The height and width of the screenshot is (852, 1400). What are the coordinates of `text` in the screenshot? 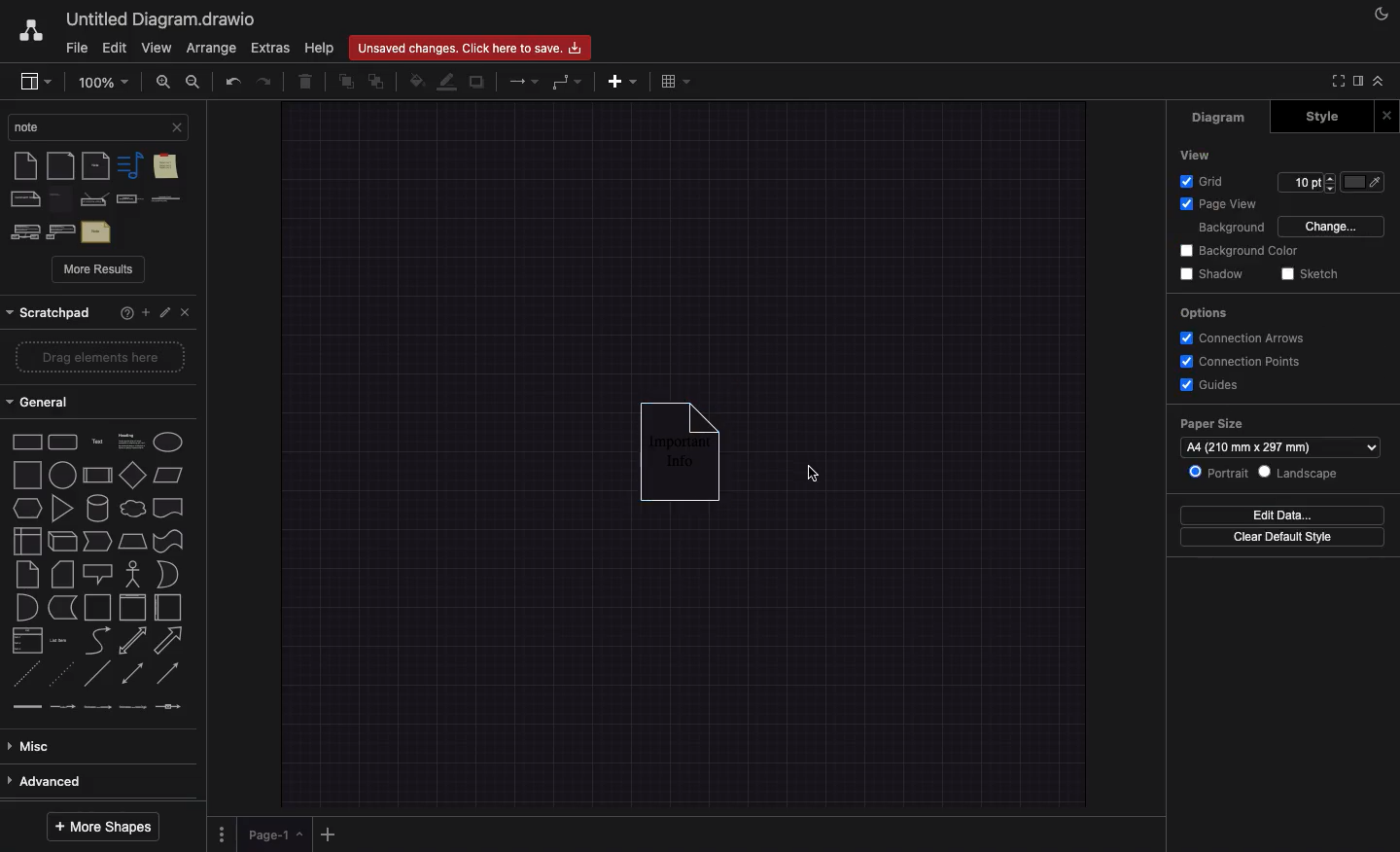 It's located at (97, 441).